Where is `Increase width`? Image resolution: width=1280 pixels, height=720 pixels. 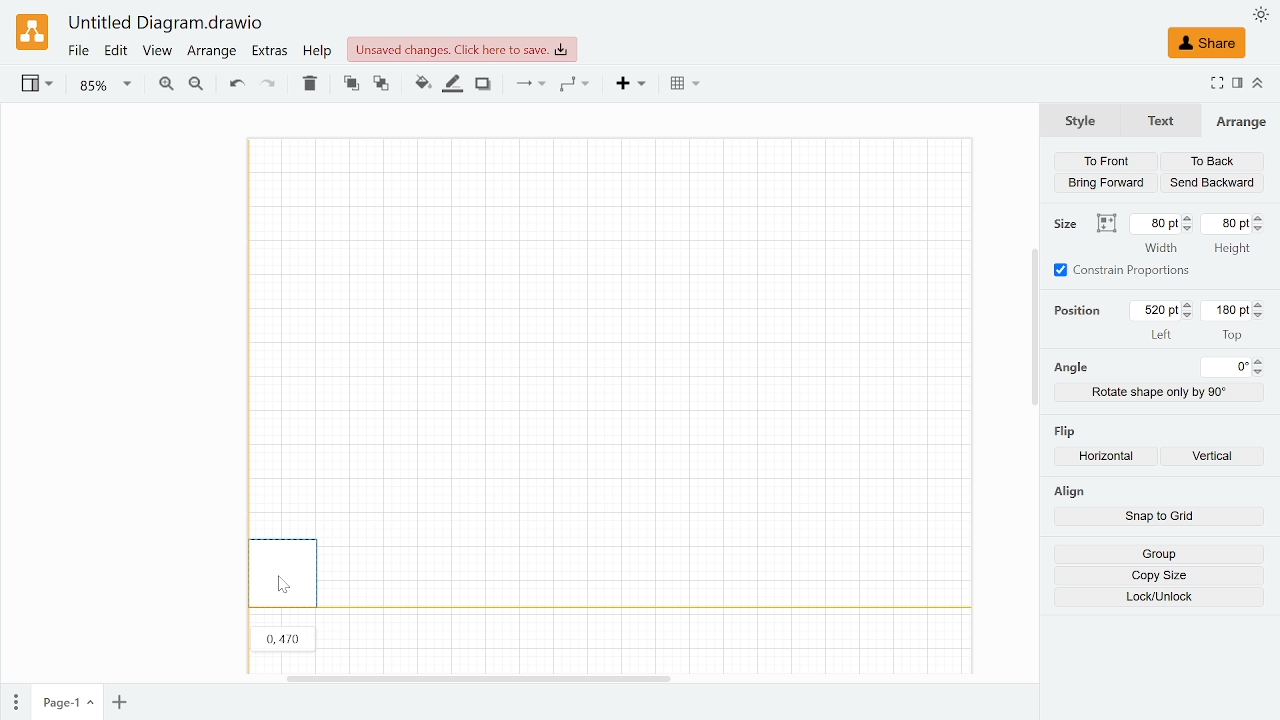
Increase width is located at coordinates (1189, 218).